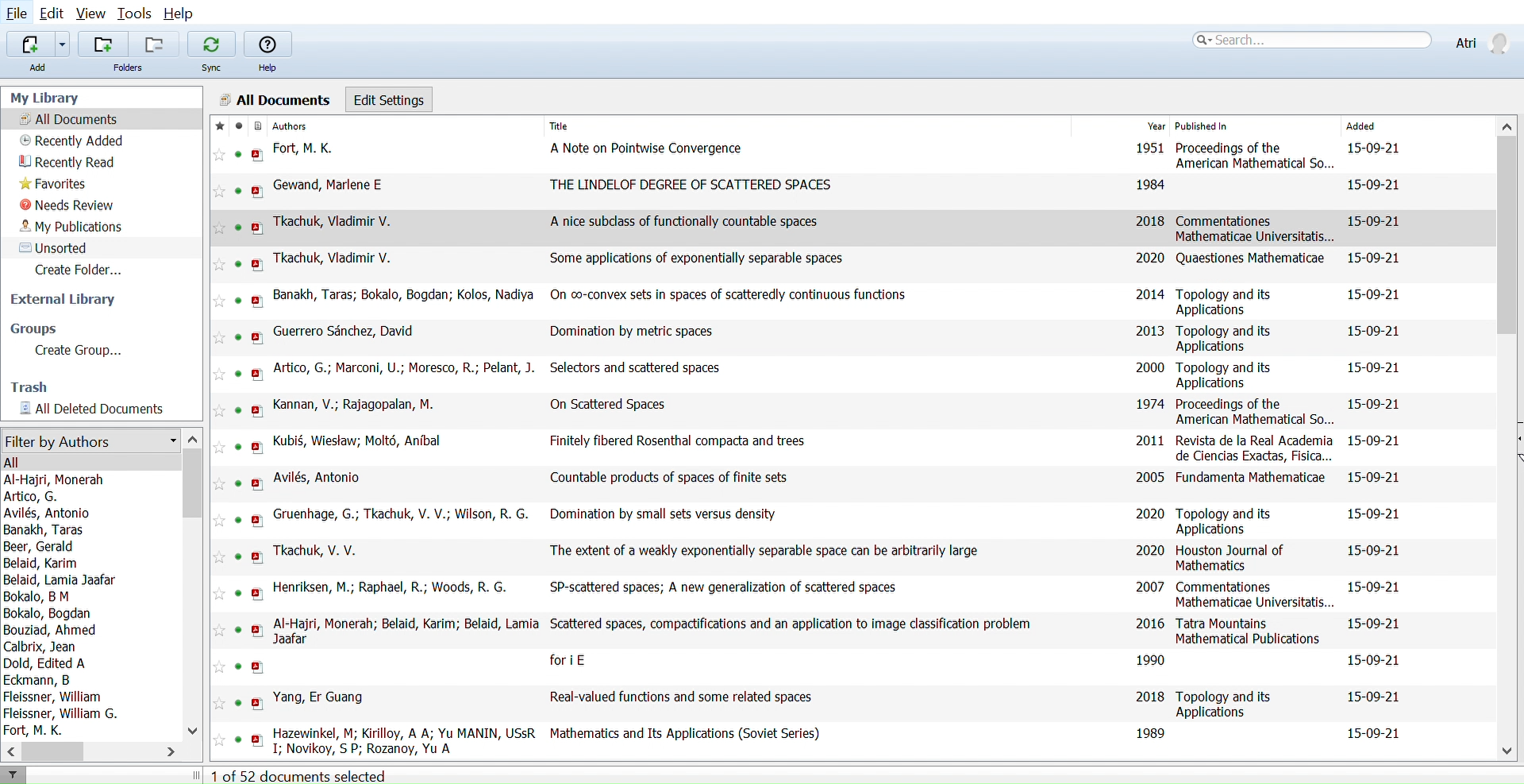 This screenshot has height=784, width=1524. Describe the element at coordinates (38, 680) in the screenshot. I see `Eckmann, B` at that location.